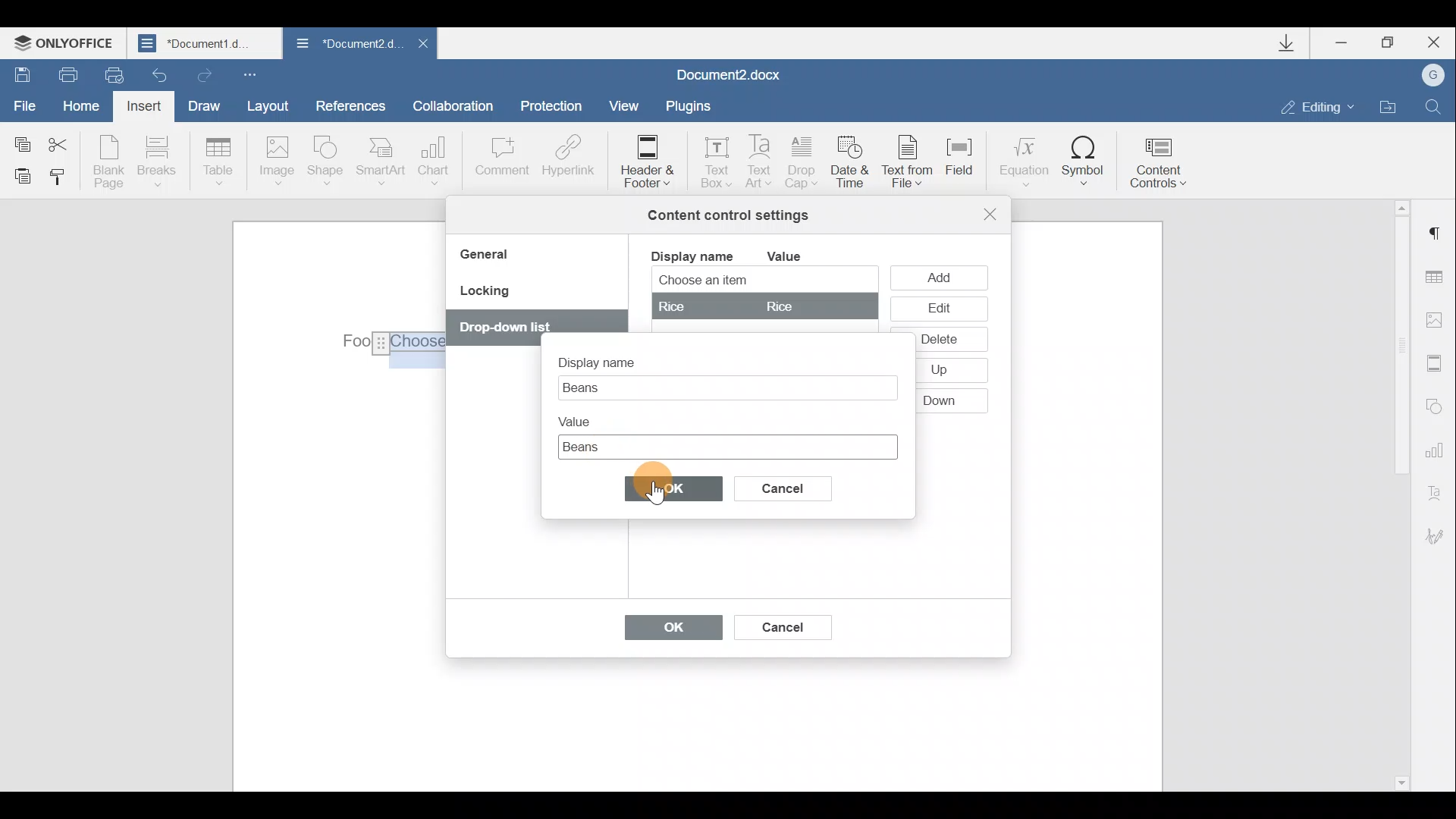 The width and height of the screenshot is (1456, 819). Describe the element at coordinates (67, 142) in the screenshot. I see `Cut` at that location.